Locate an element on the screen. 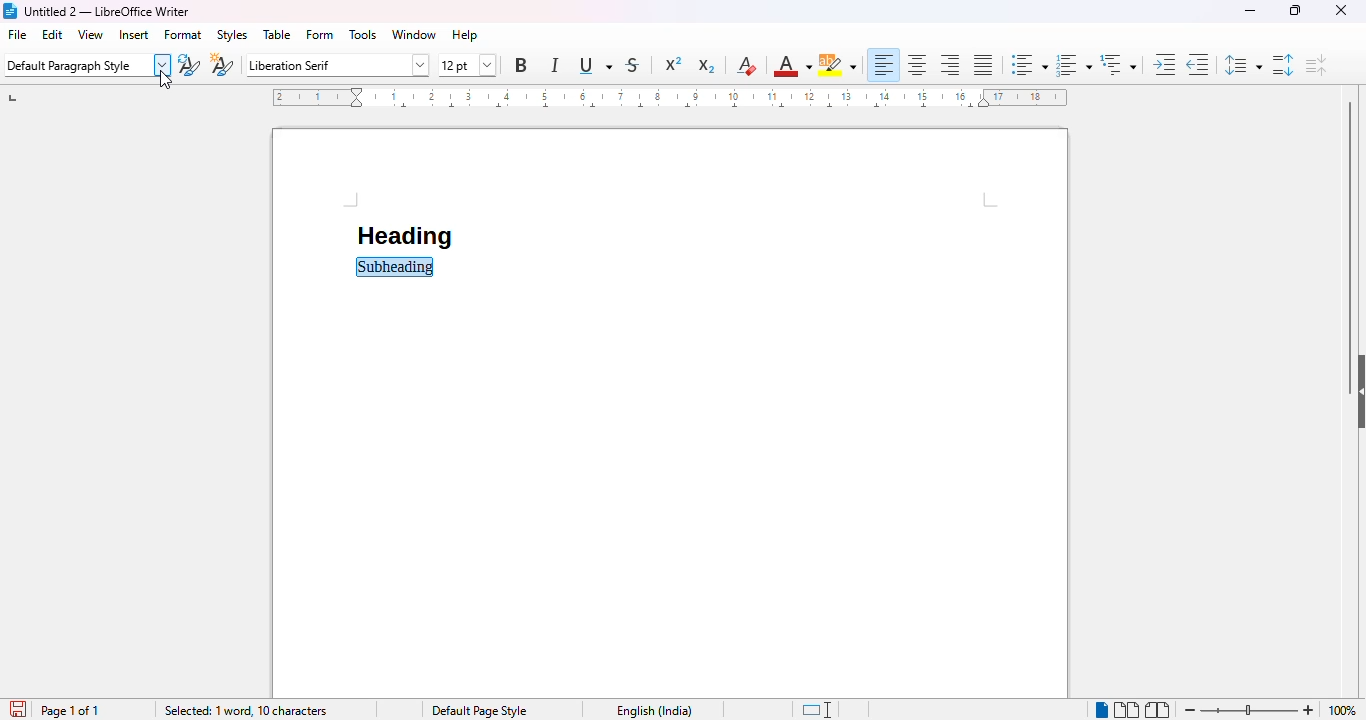  decrease indent is located at coordinates (1198, 63).